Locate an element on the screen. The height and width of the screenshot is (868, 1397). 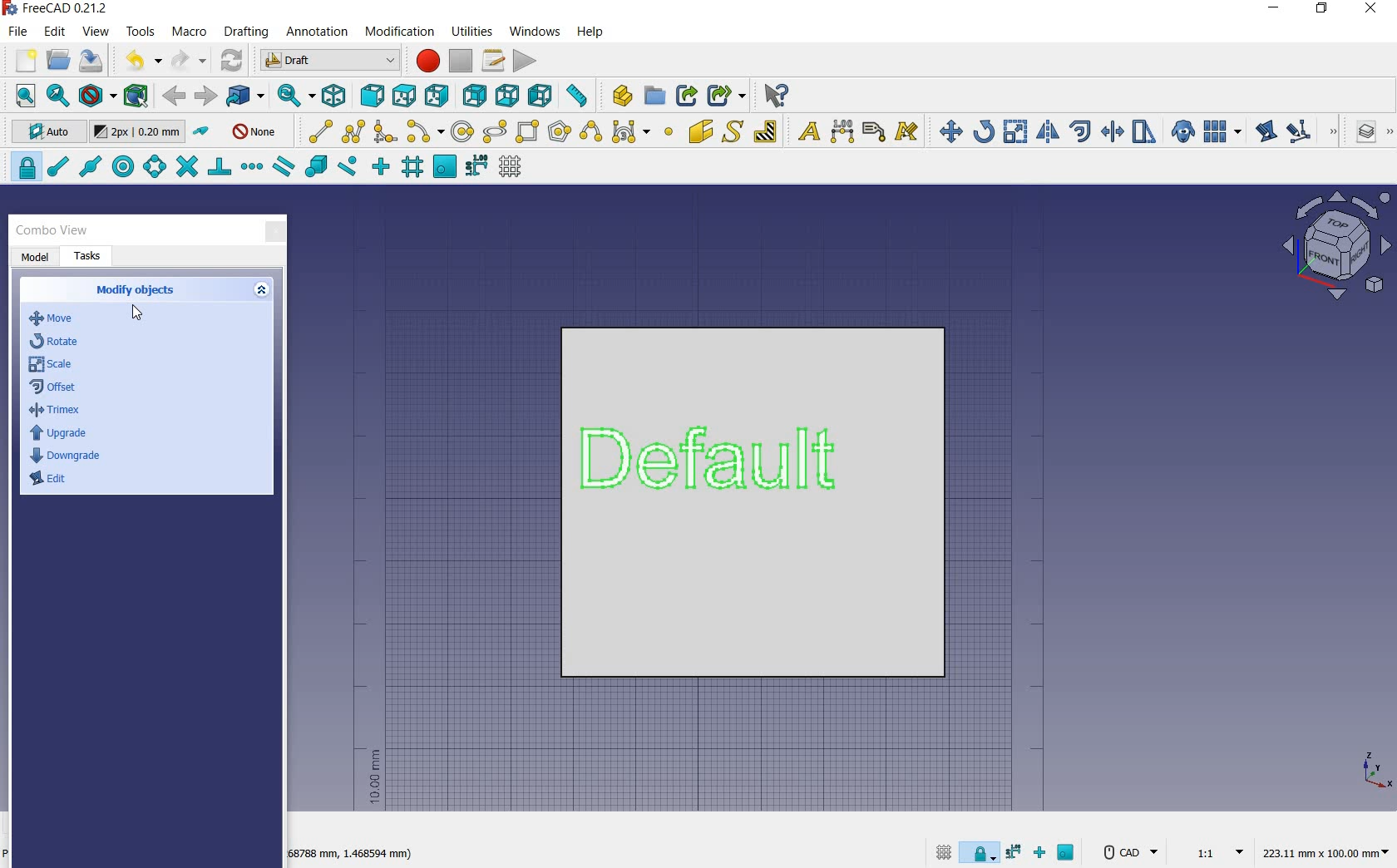
combo view is located at coordinates (52, 230).